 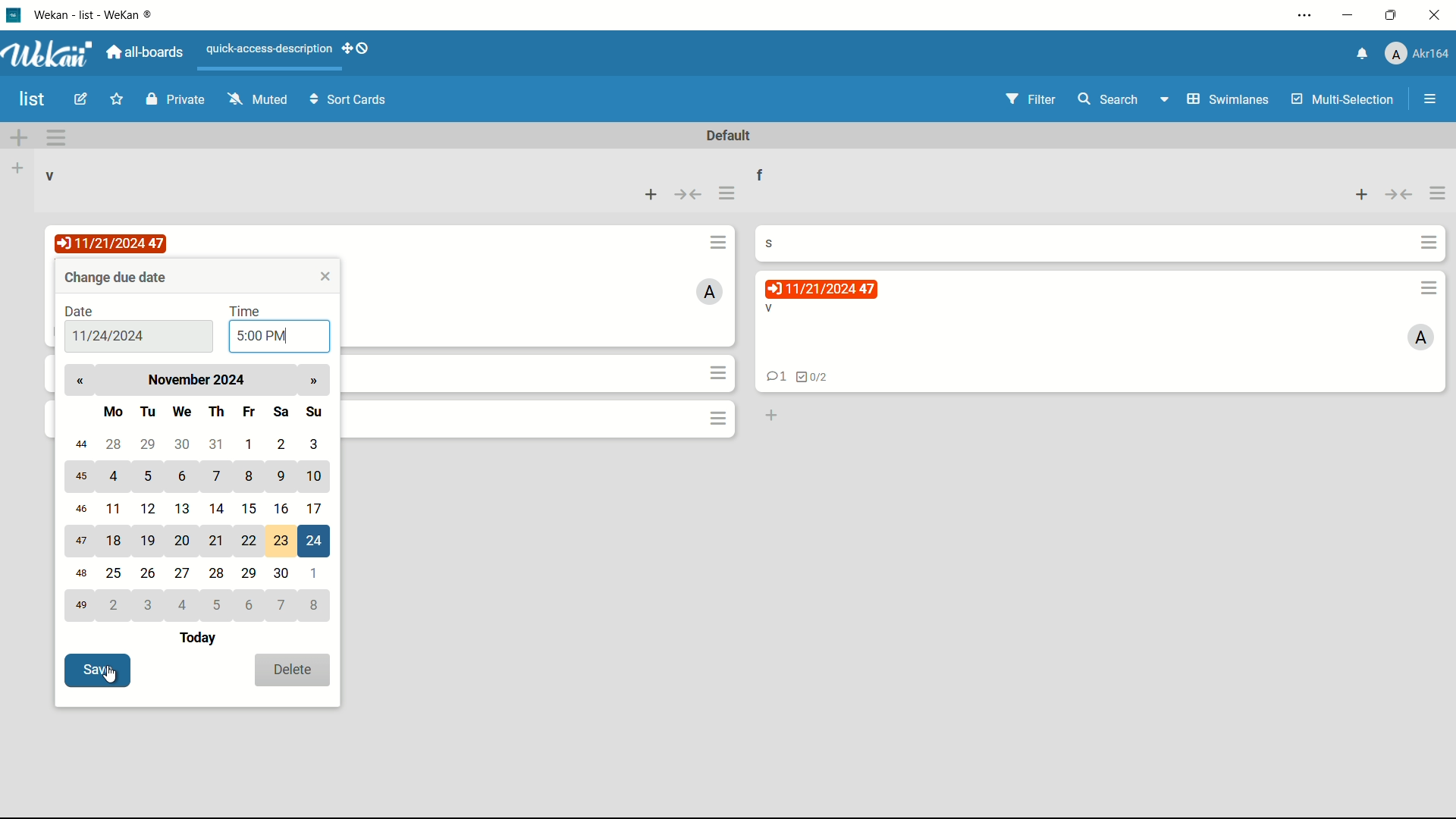 I want to click on sort cards, so click(x=350, y=102).